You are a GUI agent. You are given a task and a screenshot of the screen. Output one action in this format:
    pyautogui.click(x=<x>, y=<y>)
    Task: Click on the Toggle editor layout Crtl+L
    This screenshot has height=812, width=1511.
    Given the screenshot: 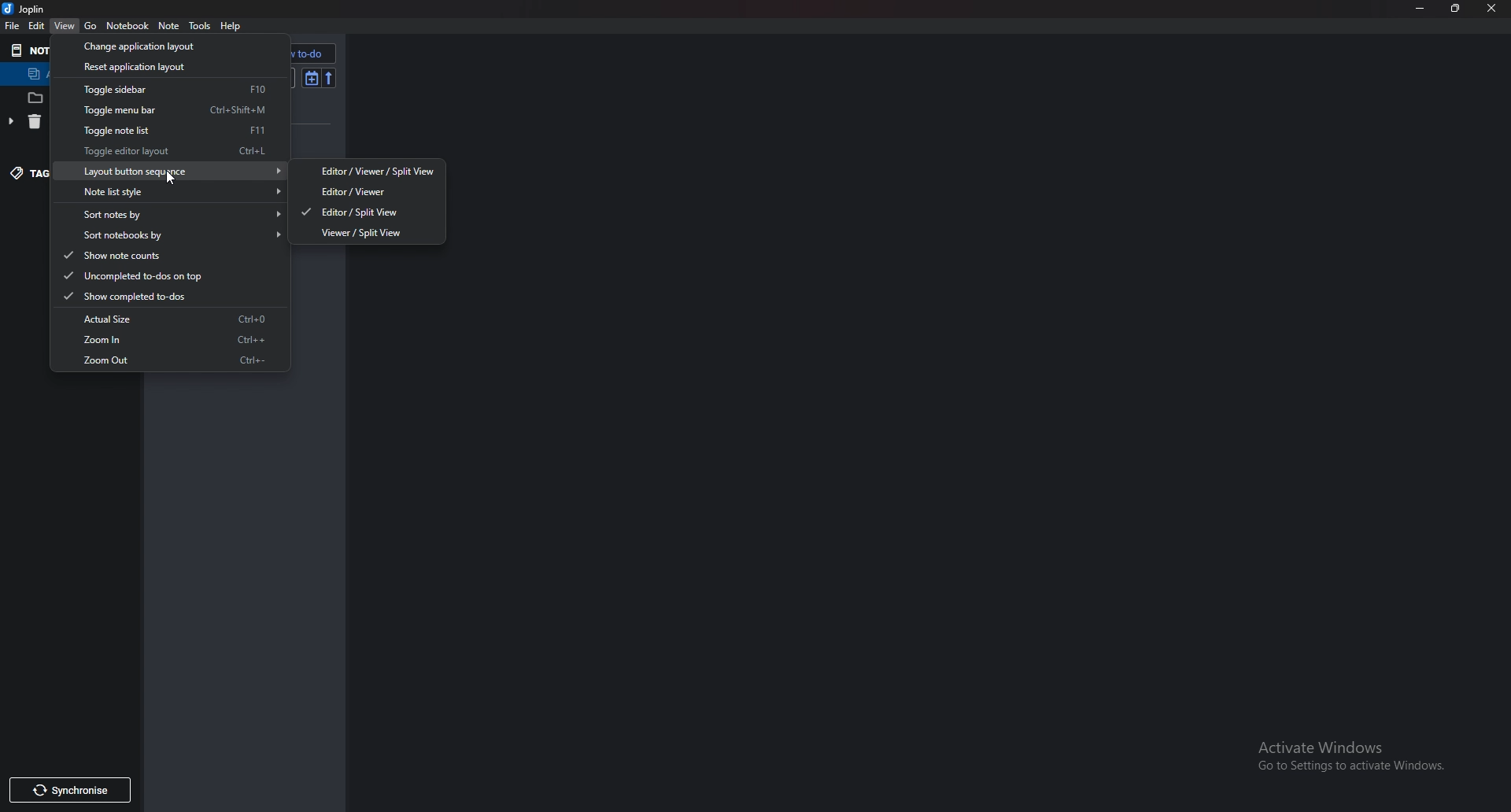 What is the action you would take?
    pyautogui.click(x=168, y=153)
    